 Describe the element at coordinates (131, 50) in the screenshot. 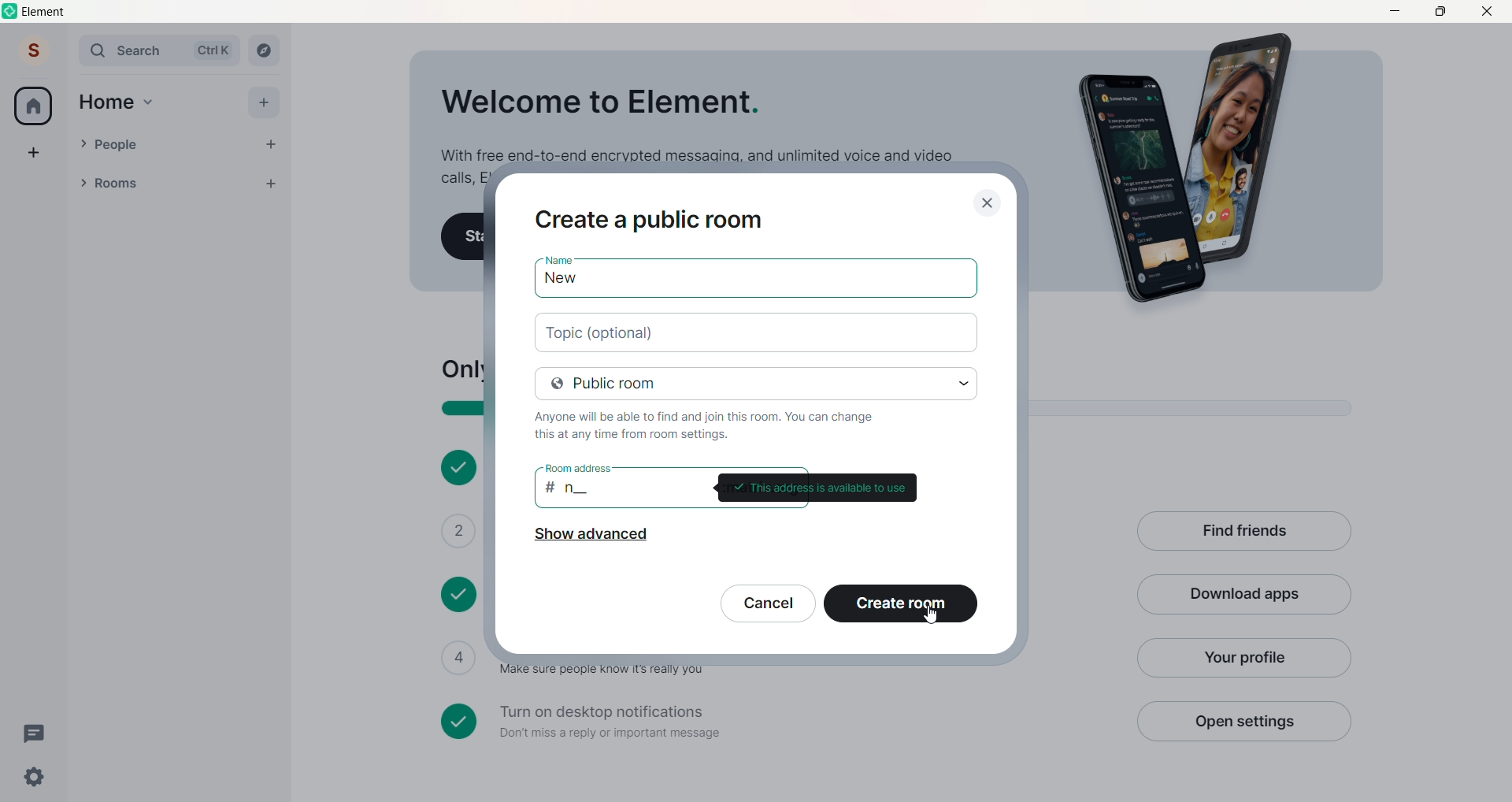

I see `Search Bar` at that location.